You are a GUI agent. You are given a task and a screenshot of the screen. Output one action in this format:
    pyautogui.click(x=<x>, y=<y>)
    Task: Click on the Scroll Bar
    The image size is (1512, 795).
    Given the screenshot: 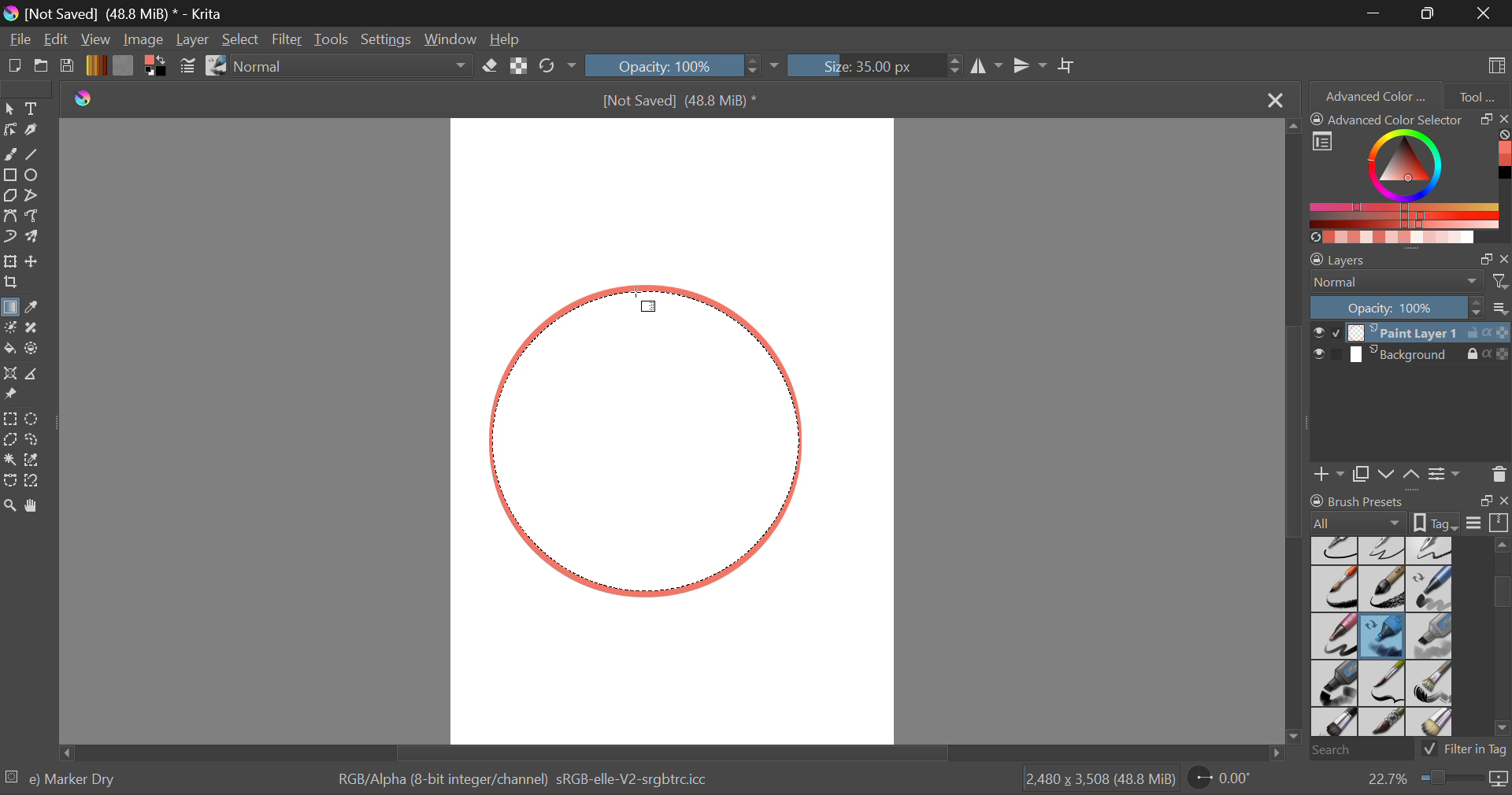 What is the action you would take?
    pyautogui.click(x=1296, y=434)
    